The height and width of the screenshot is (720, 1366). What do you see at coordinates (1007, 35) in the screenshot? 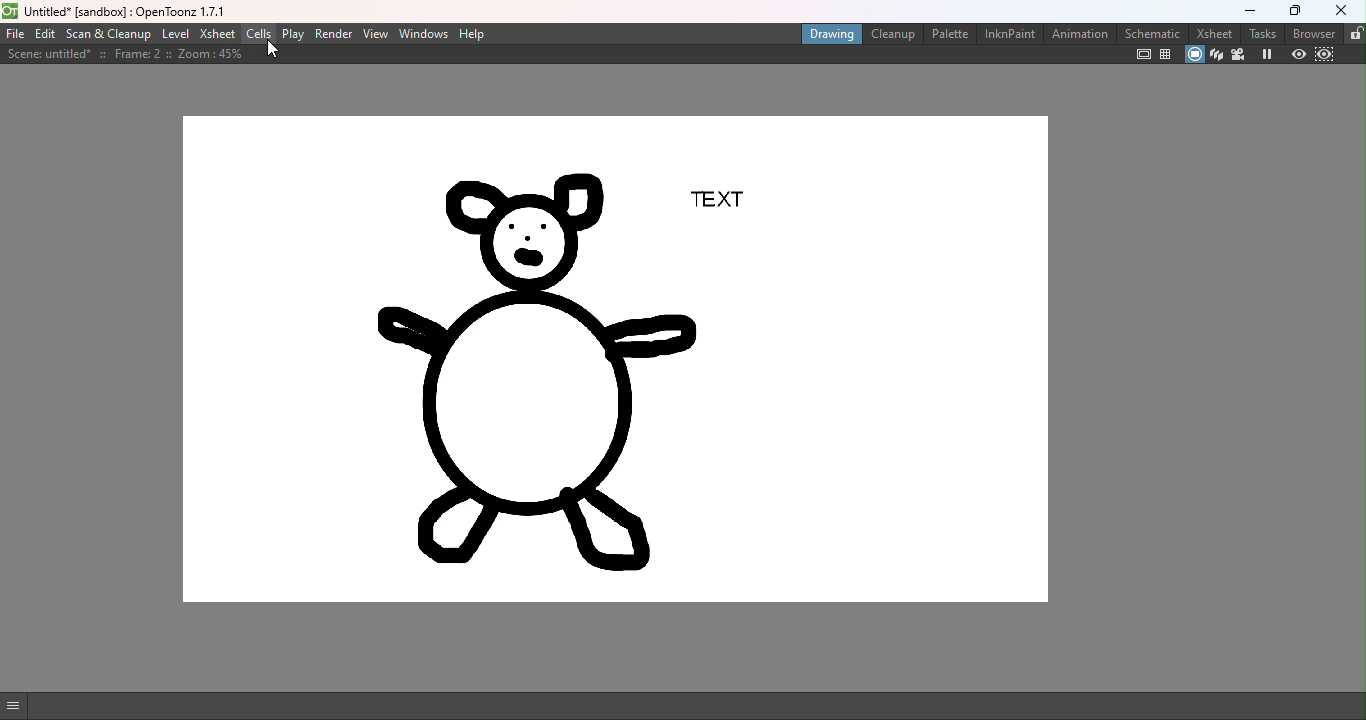
I see `InknPaint` at bounding box center [1007, 35].